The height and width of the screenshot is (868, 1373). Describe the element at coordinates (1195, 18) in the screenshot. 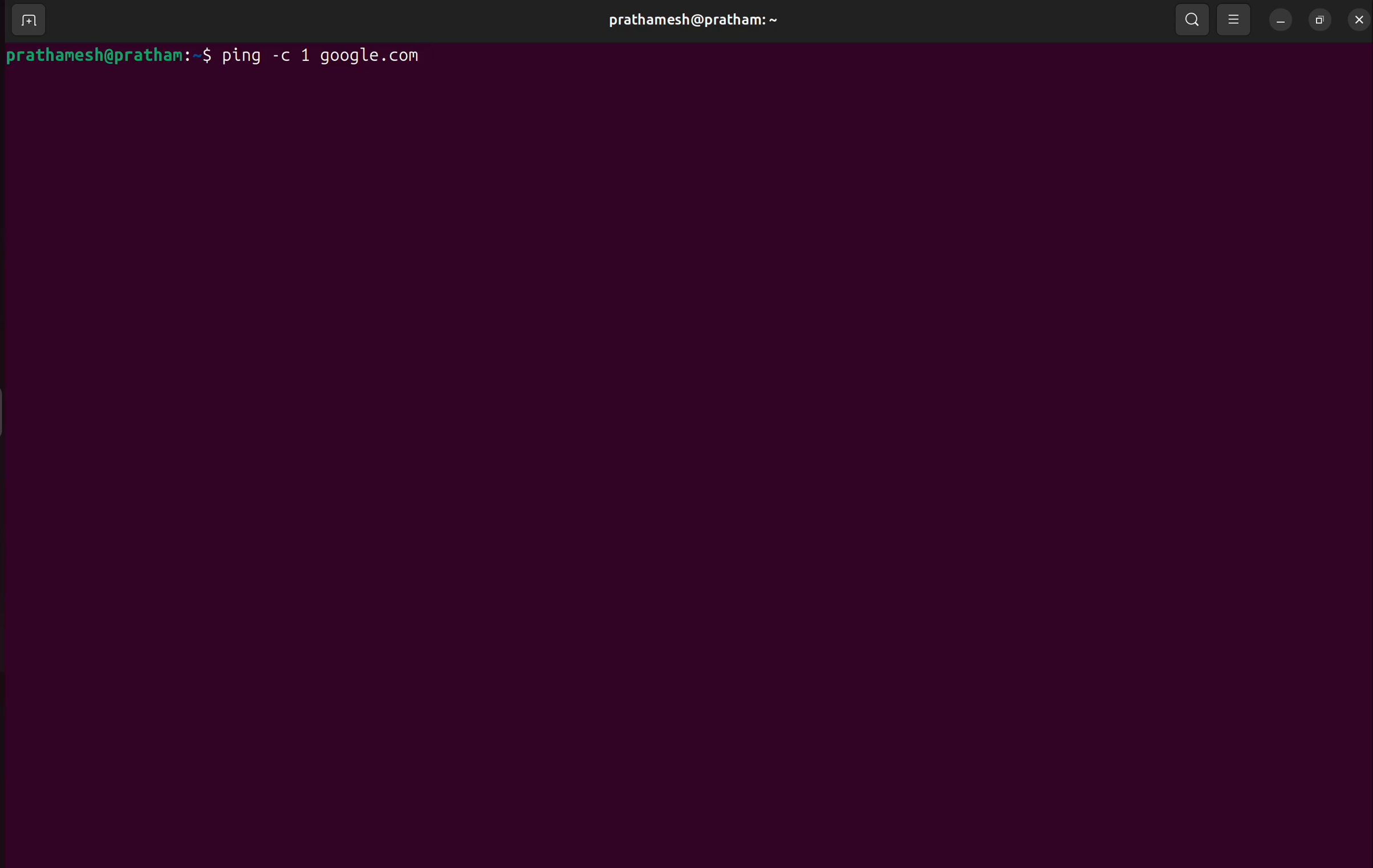

I see `search` at that location.